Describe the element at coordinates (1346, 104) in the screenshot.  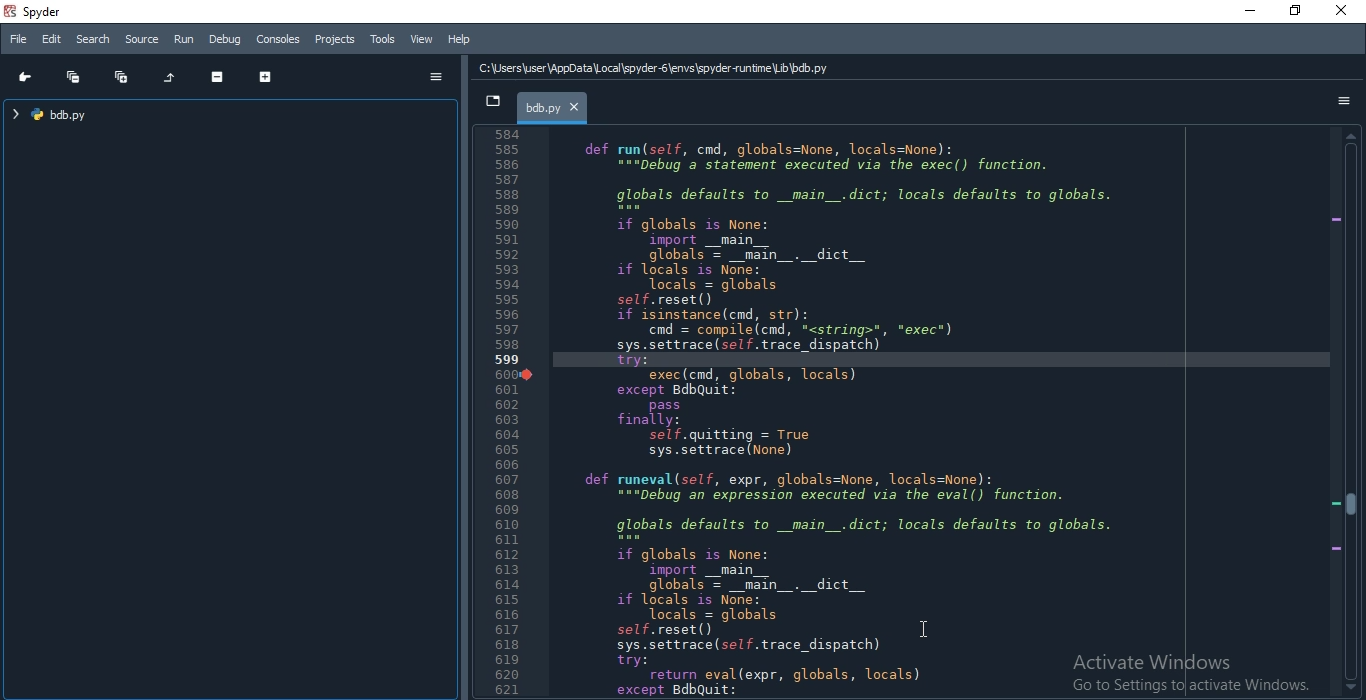
I see `options` at that location.